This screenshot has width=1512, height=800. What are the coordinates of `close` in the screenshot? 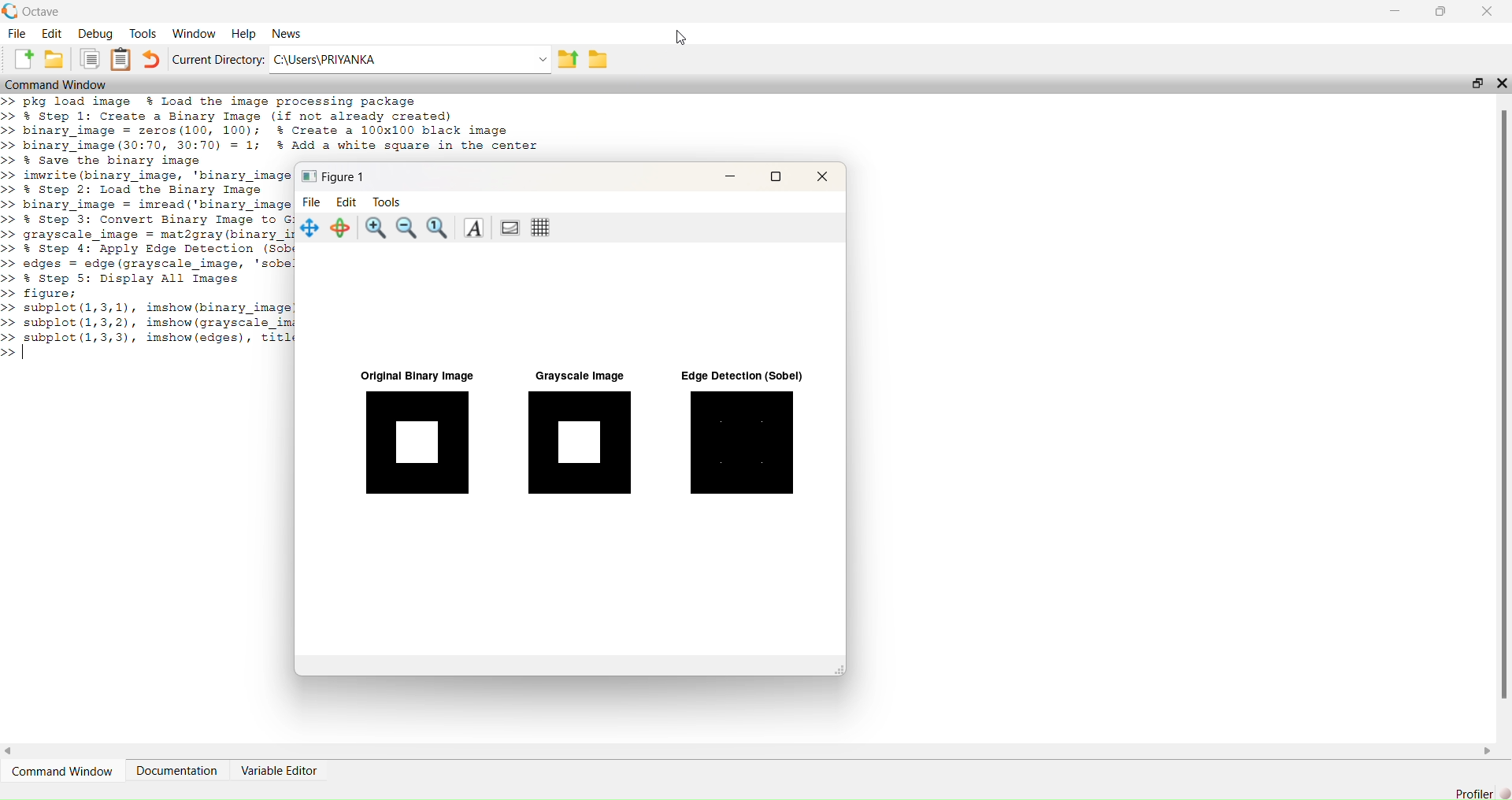 It's located at (825, 178).